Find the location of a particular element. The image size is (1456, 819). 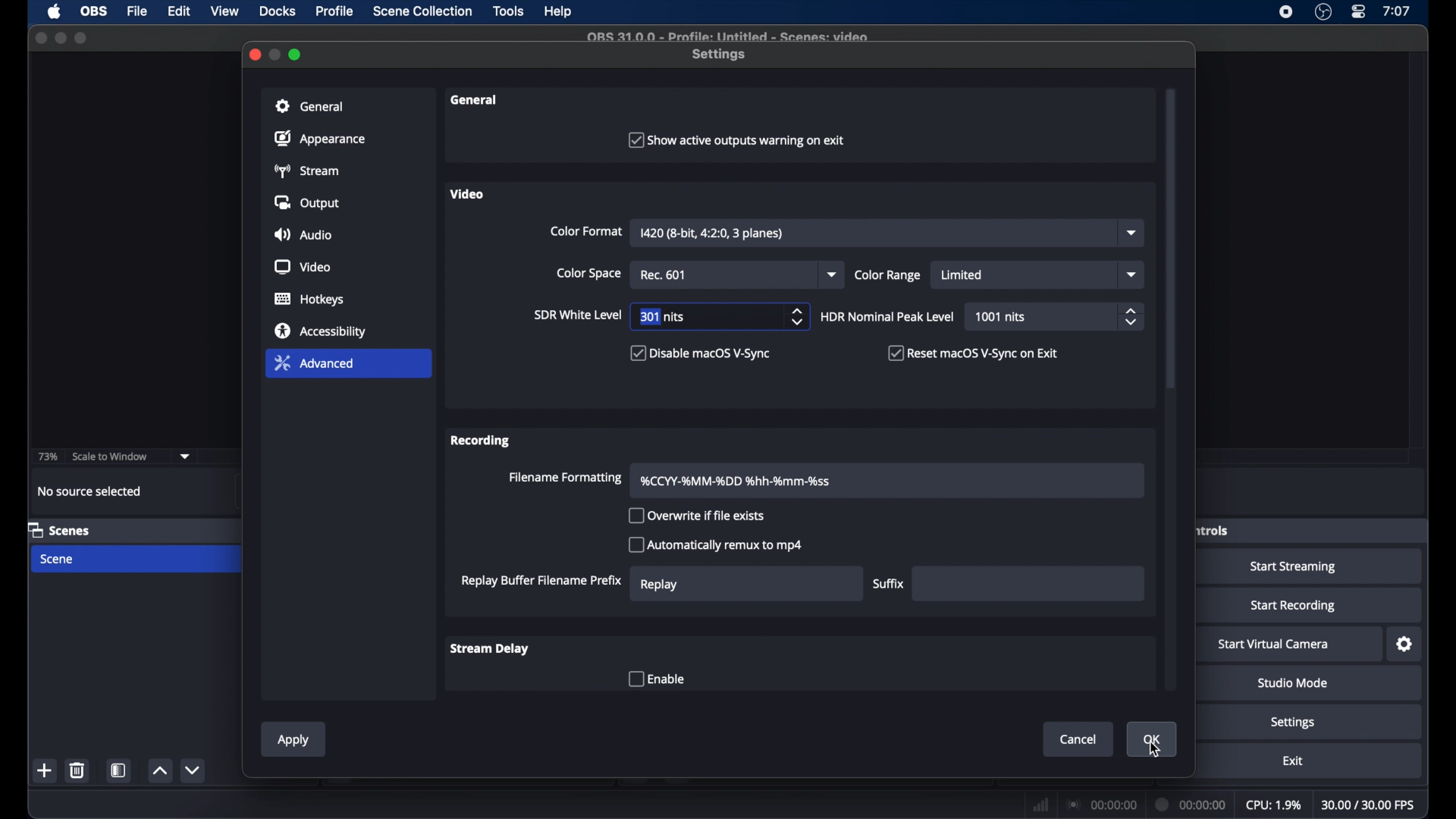

filename is located at coordinates (741, 482).